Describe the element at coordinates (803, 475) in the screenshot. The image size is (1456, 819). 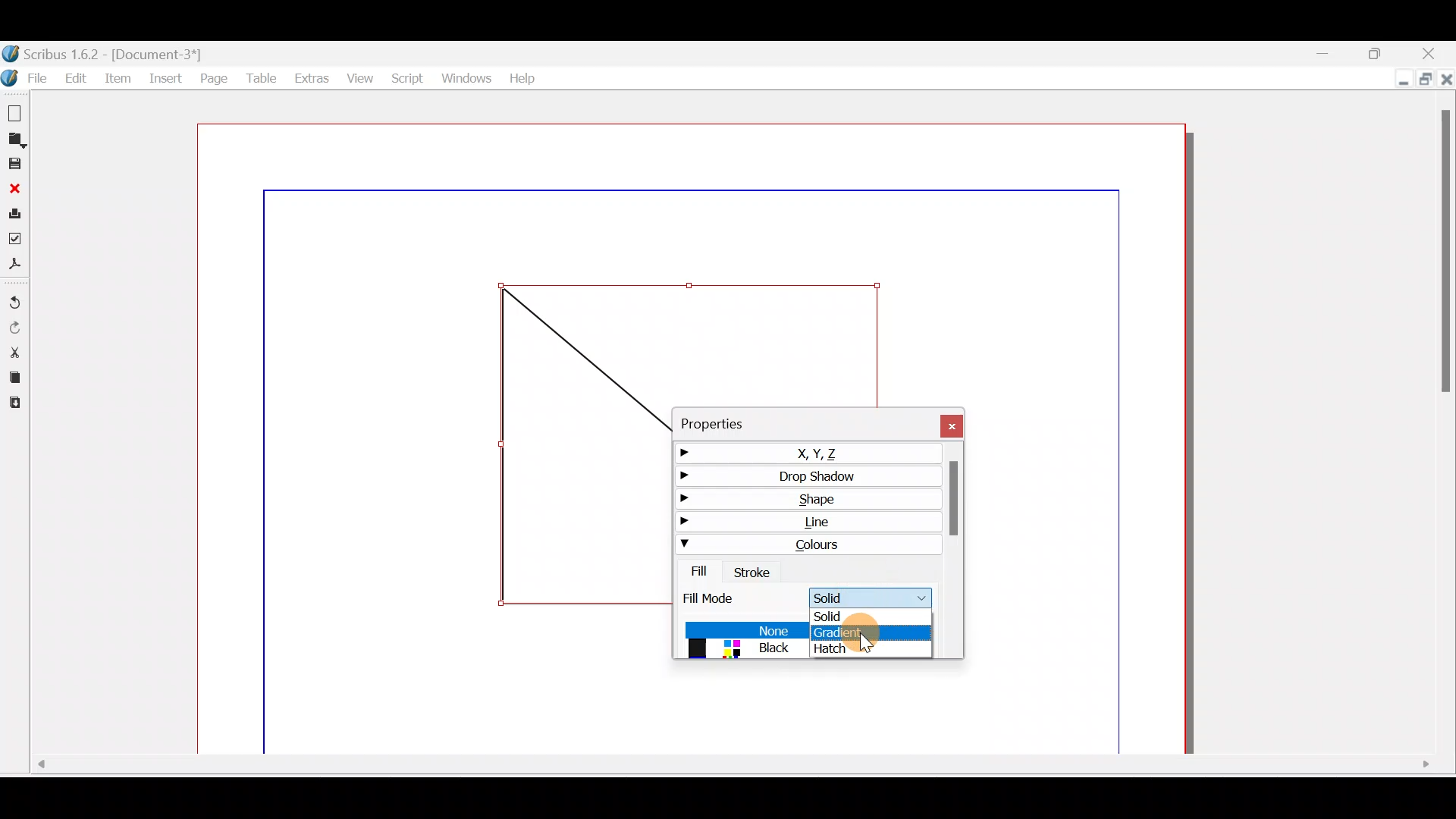
I see `Drop shadow` at that location.